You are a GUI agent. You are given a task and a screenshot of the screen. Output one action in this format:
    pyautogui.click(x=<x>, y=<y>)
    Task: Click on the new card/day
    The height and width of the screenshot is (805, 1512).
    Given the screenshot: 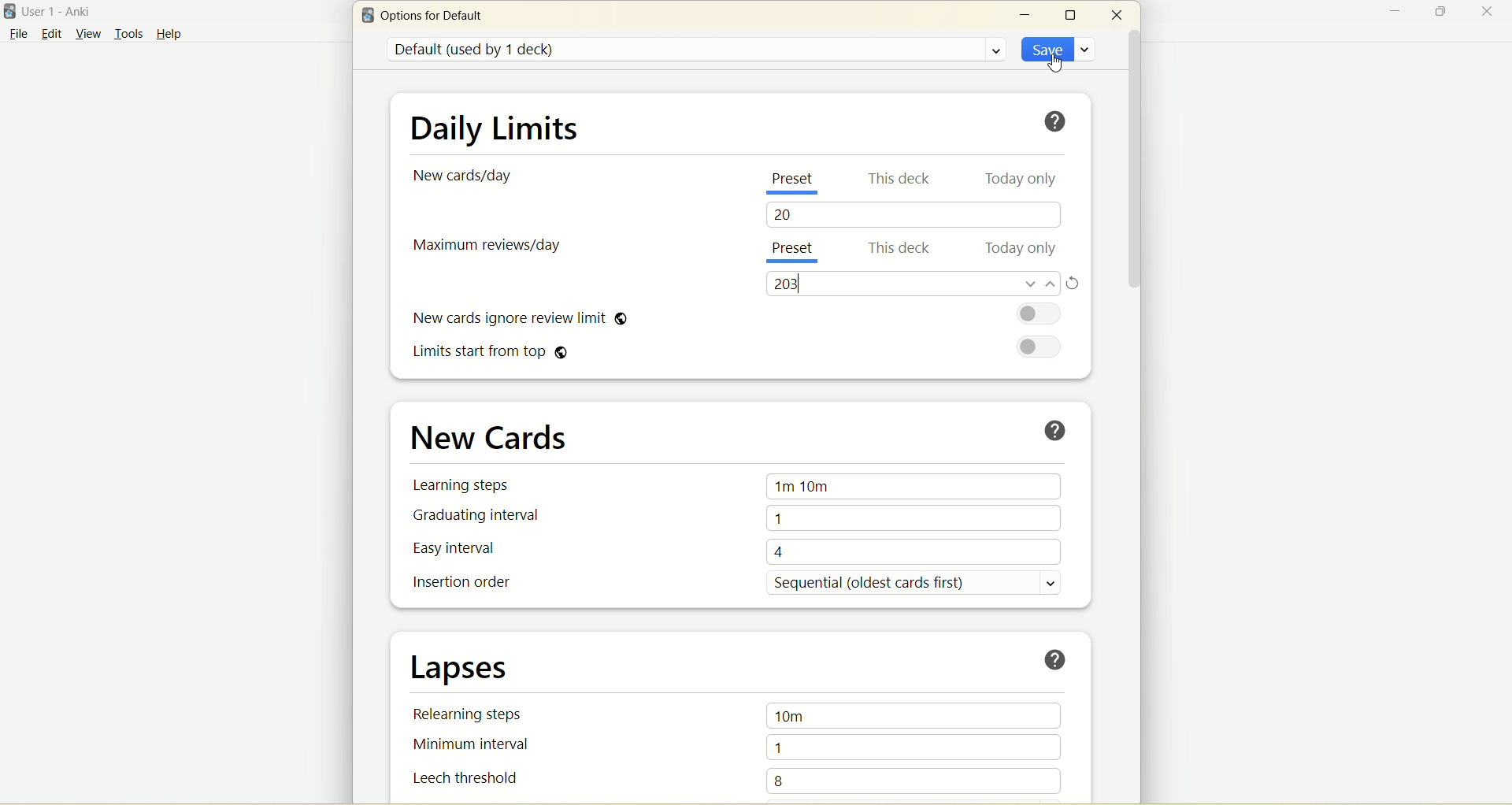 What is the action you would take?
    pyautogui.click(x=466, y=176)
    